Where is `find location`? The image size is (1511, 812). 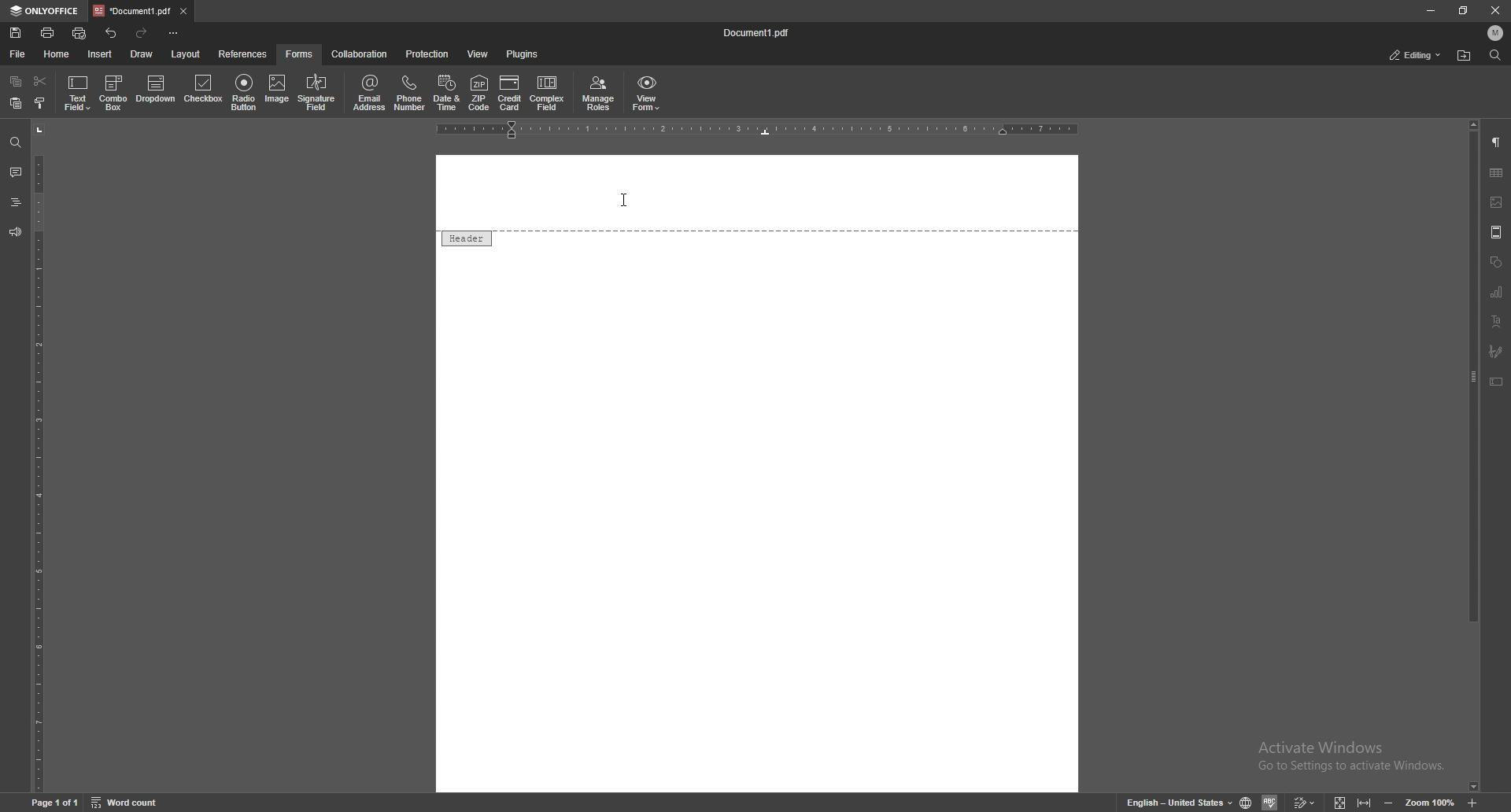
find location is located at coordinates (1465, 55).